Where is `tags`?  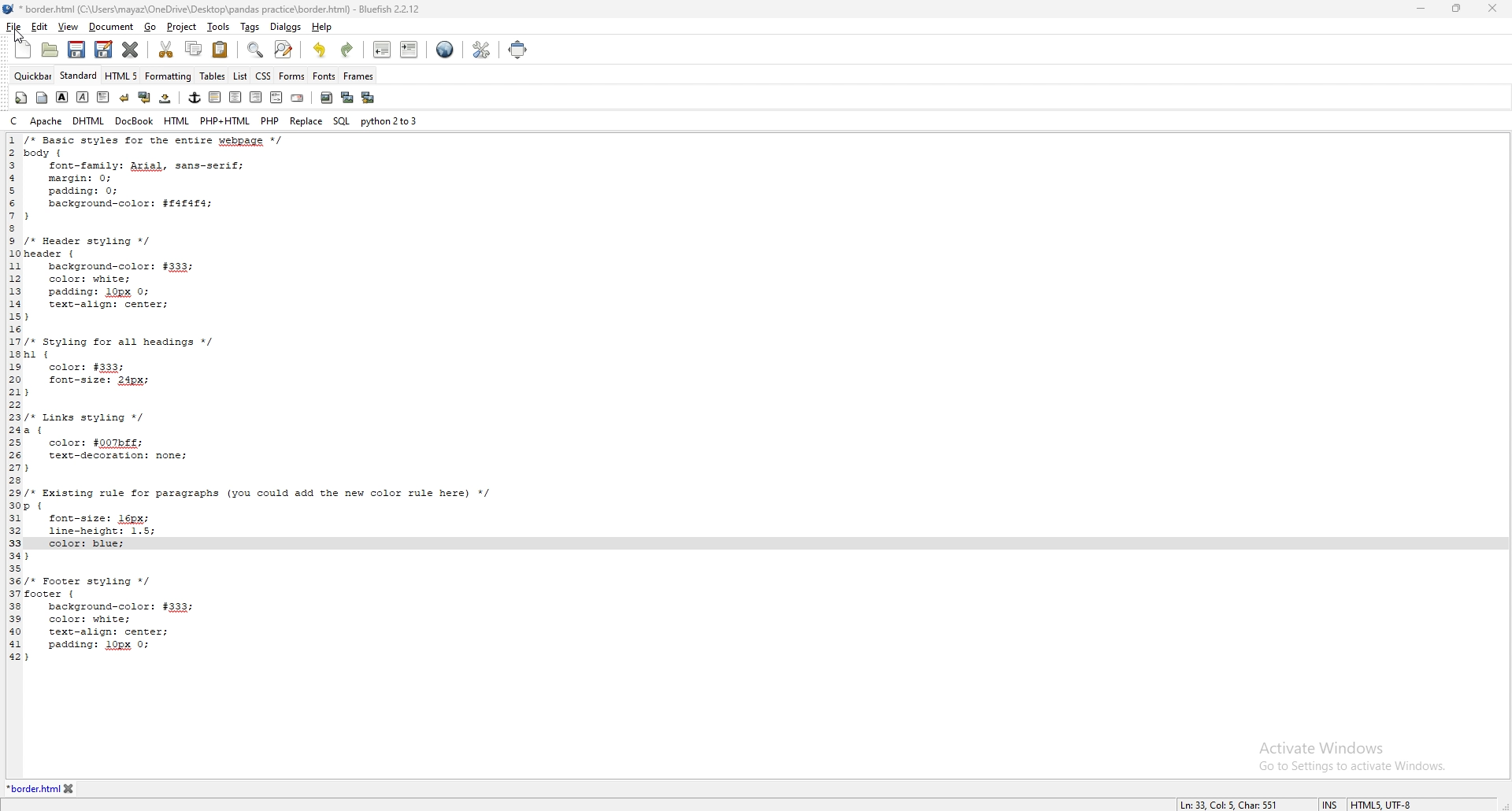 tags is located at coordinates (250, 27).